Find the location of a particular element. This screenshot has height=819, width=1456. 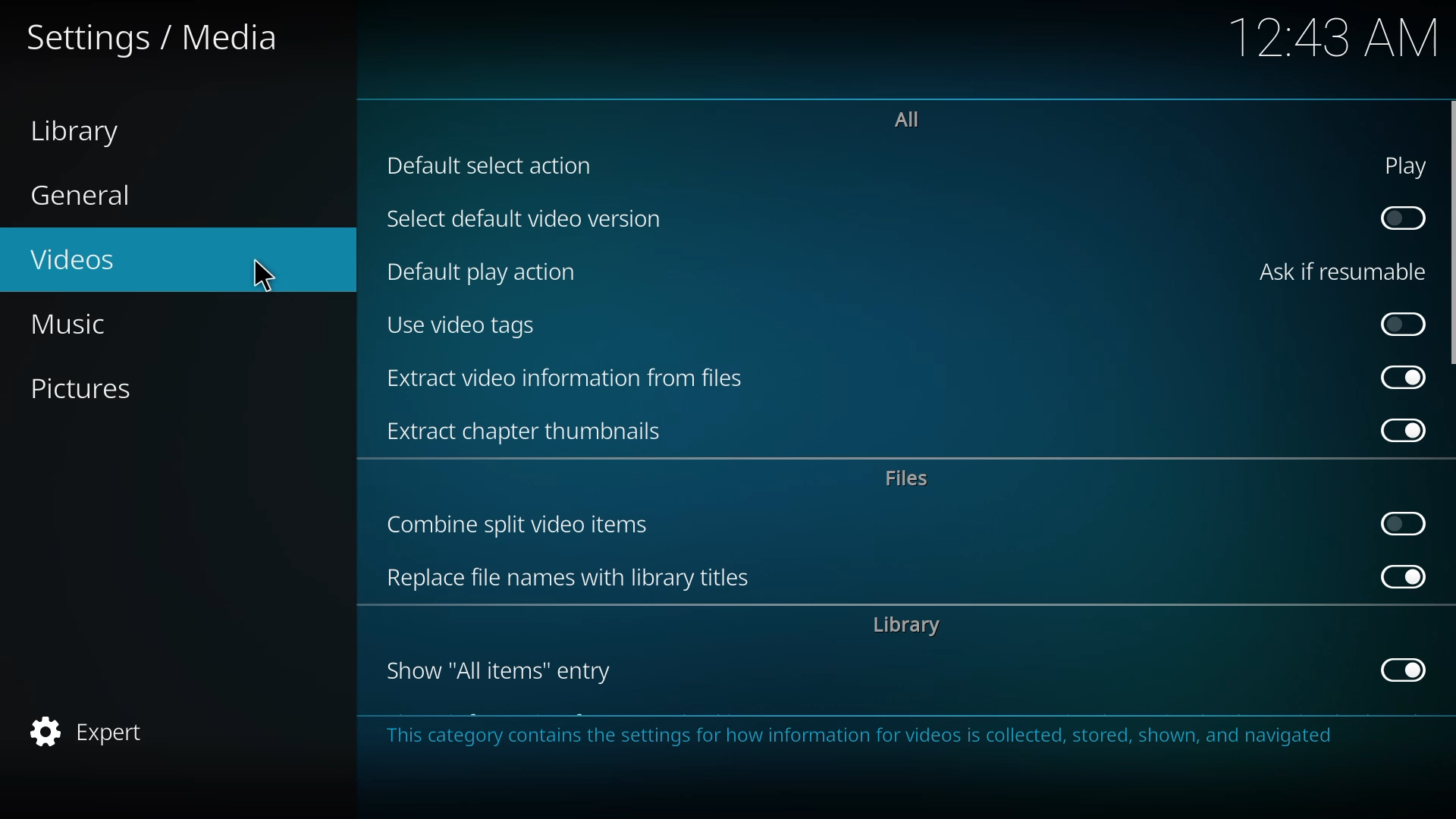

expert is located at coordinates (96, 730).